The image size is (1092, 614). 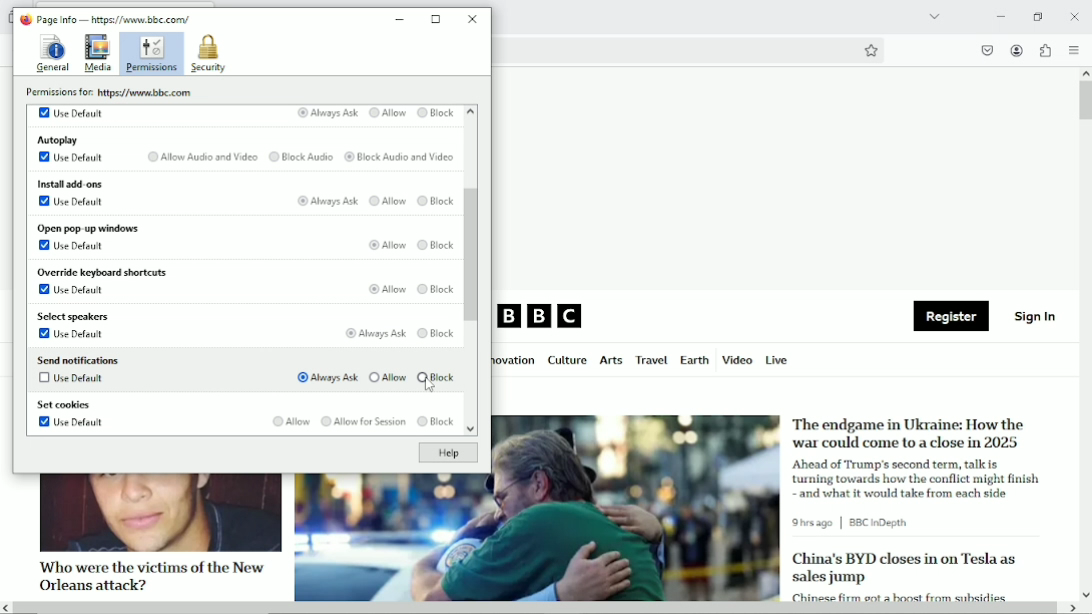 I want to click on Use default, so click(x=73, y=201).